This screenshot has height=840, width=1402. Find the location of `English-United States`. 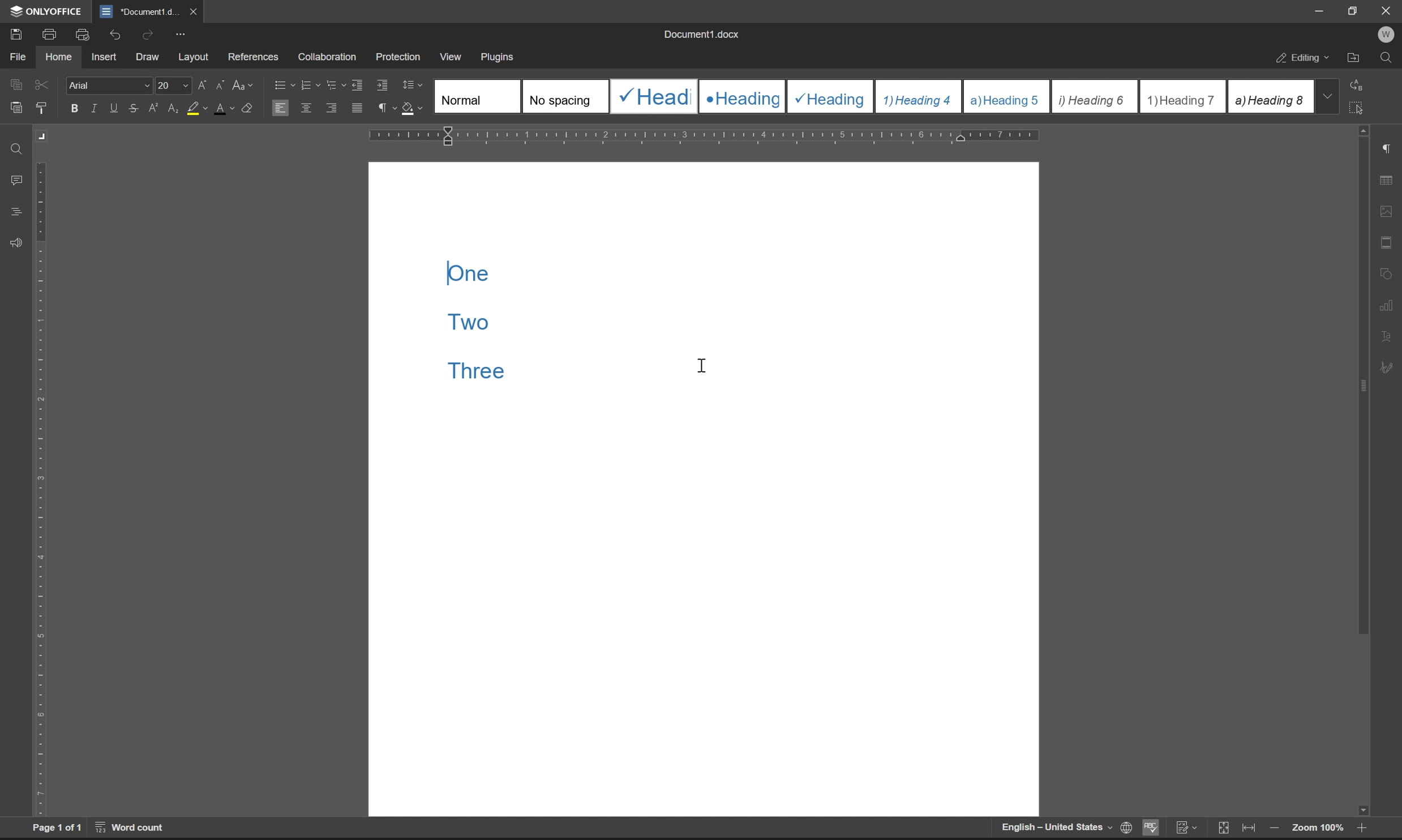

English-United States is located at coordinates (1055, 828).